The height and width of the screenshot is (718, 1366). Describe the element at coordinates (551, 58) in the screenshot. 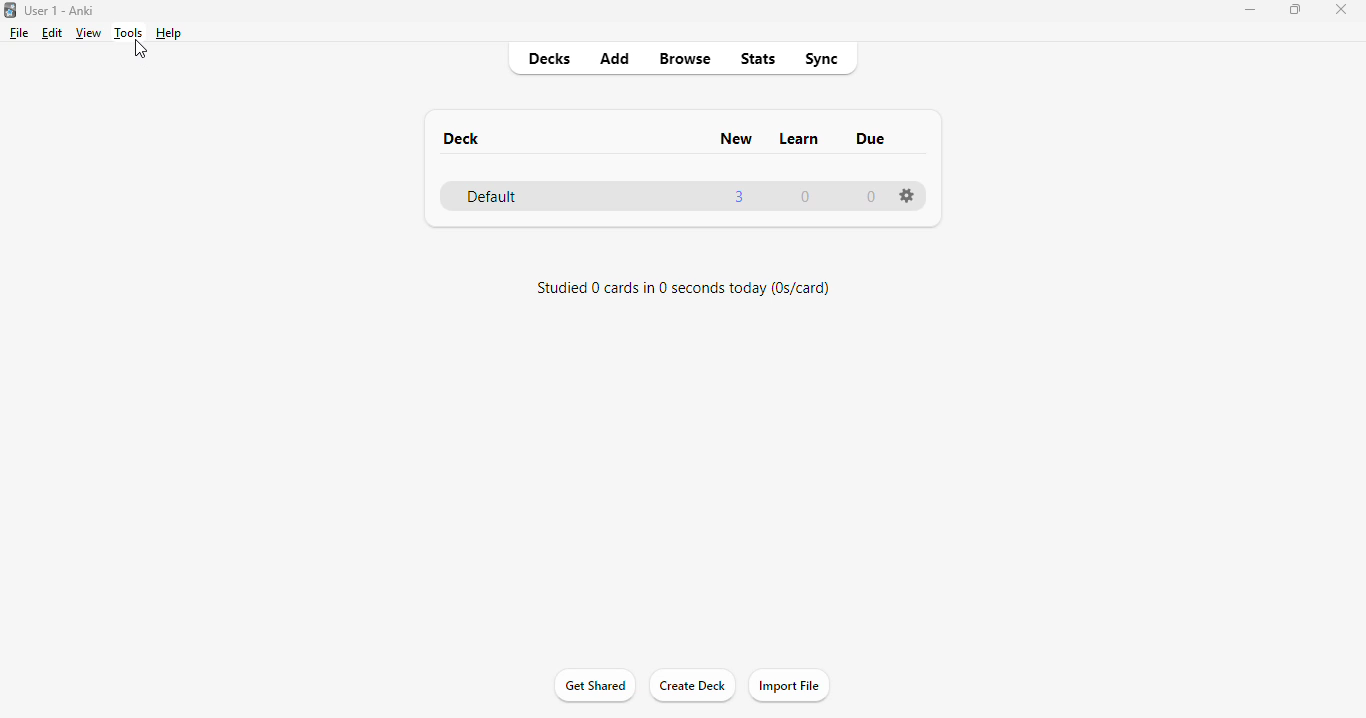

I see `decks` at that location.